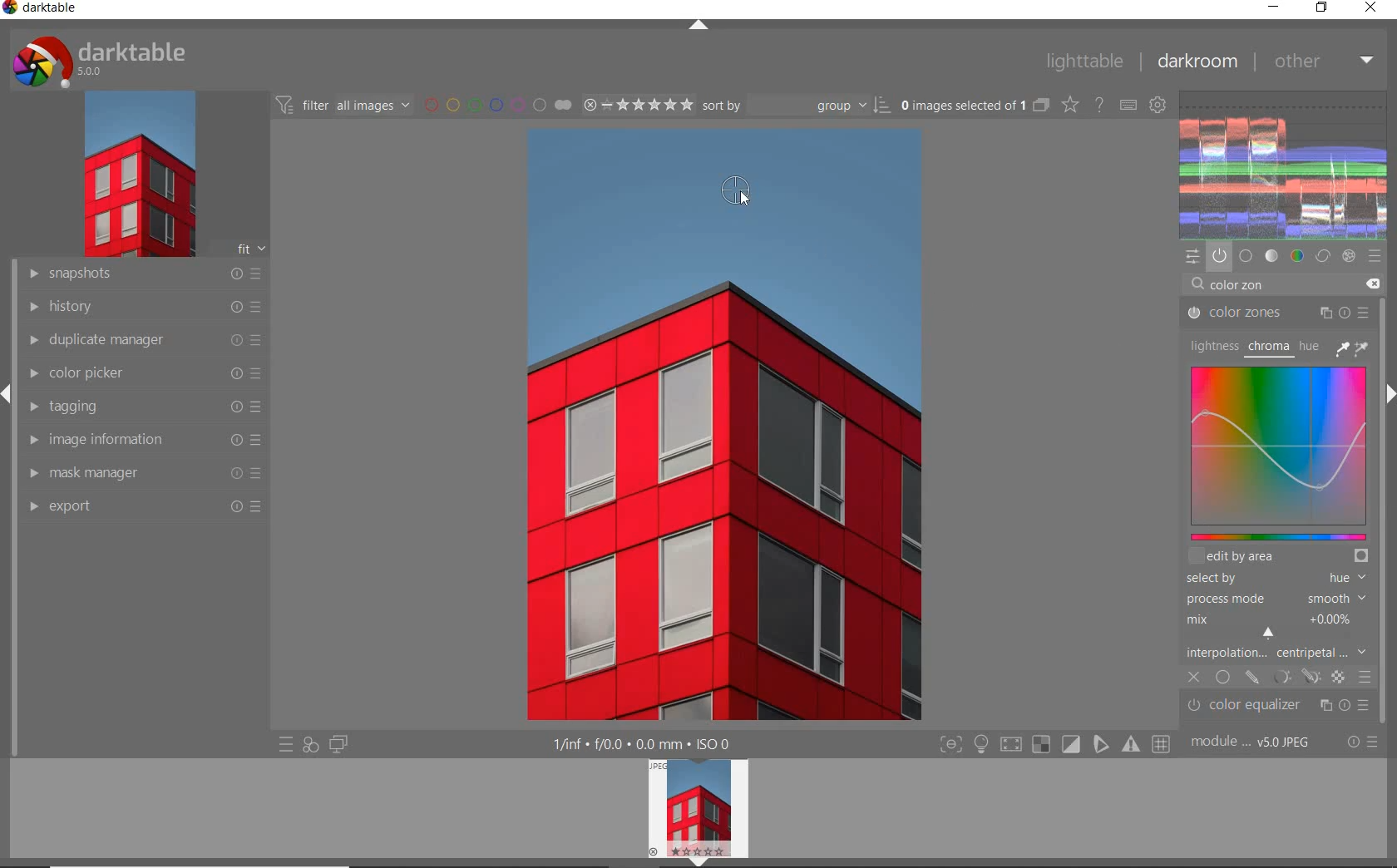  Describe the element at coordinates (1009, 745) in the screenshot. I see `shadow` at that location.